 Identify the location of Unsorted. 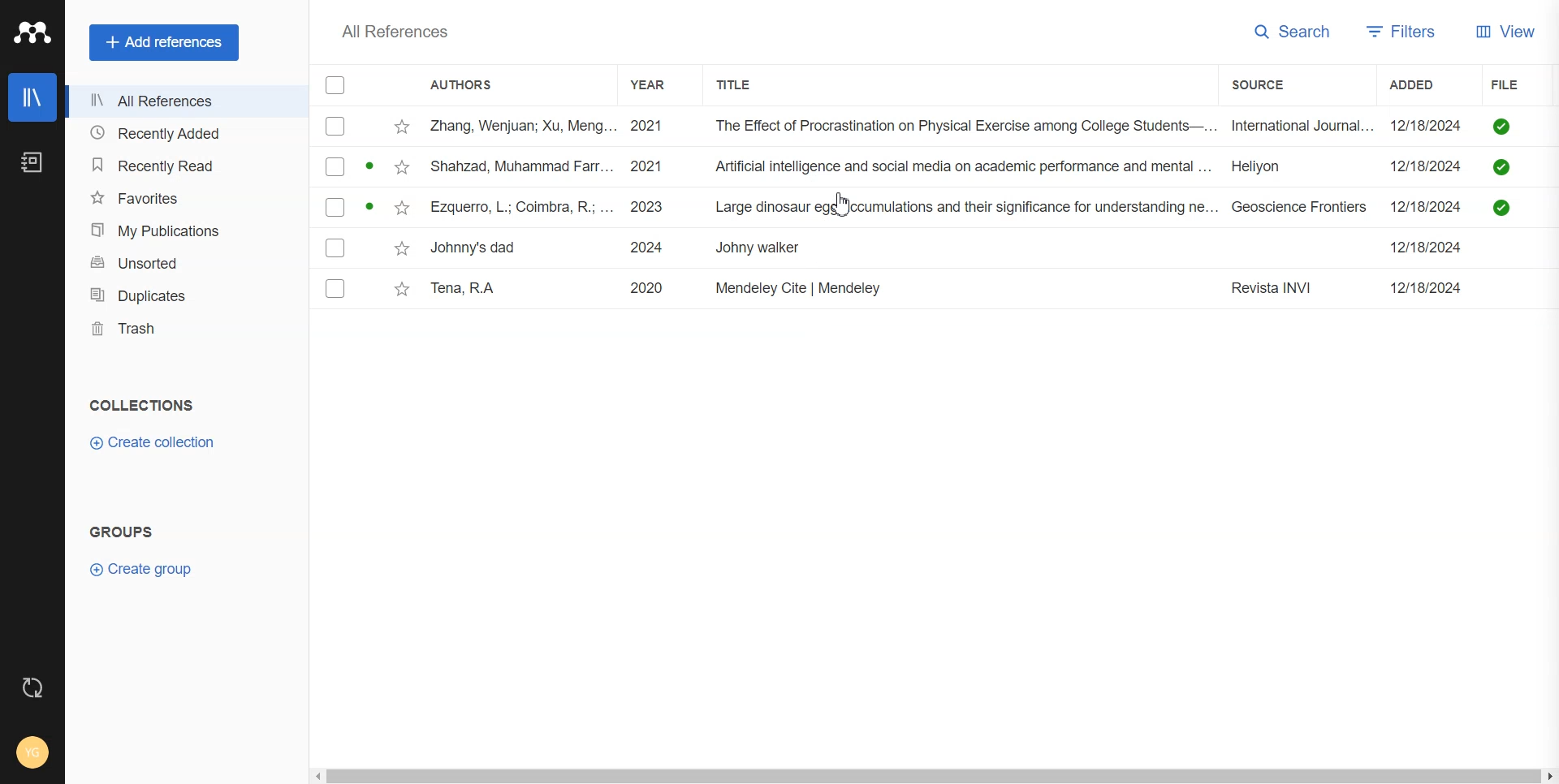
(186, 261).